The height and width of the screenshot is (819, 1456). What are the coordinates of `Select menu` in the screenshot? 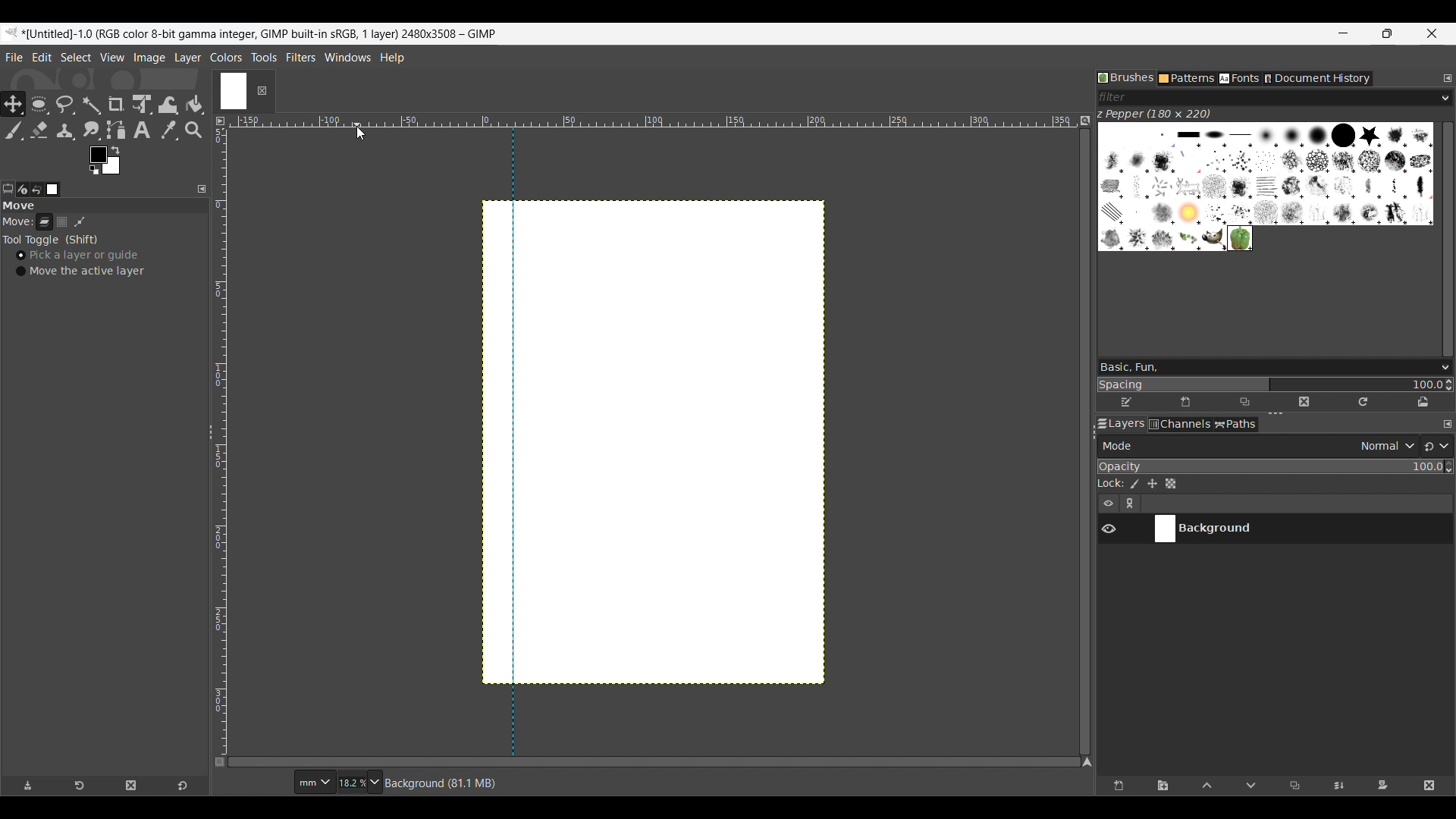 It's located at (76, 57).